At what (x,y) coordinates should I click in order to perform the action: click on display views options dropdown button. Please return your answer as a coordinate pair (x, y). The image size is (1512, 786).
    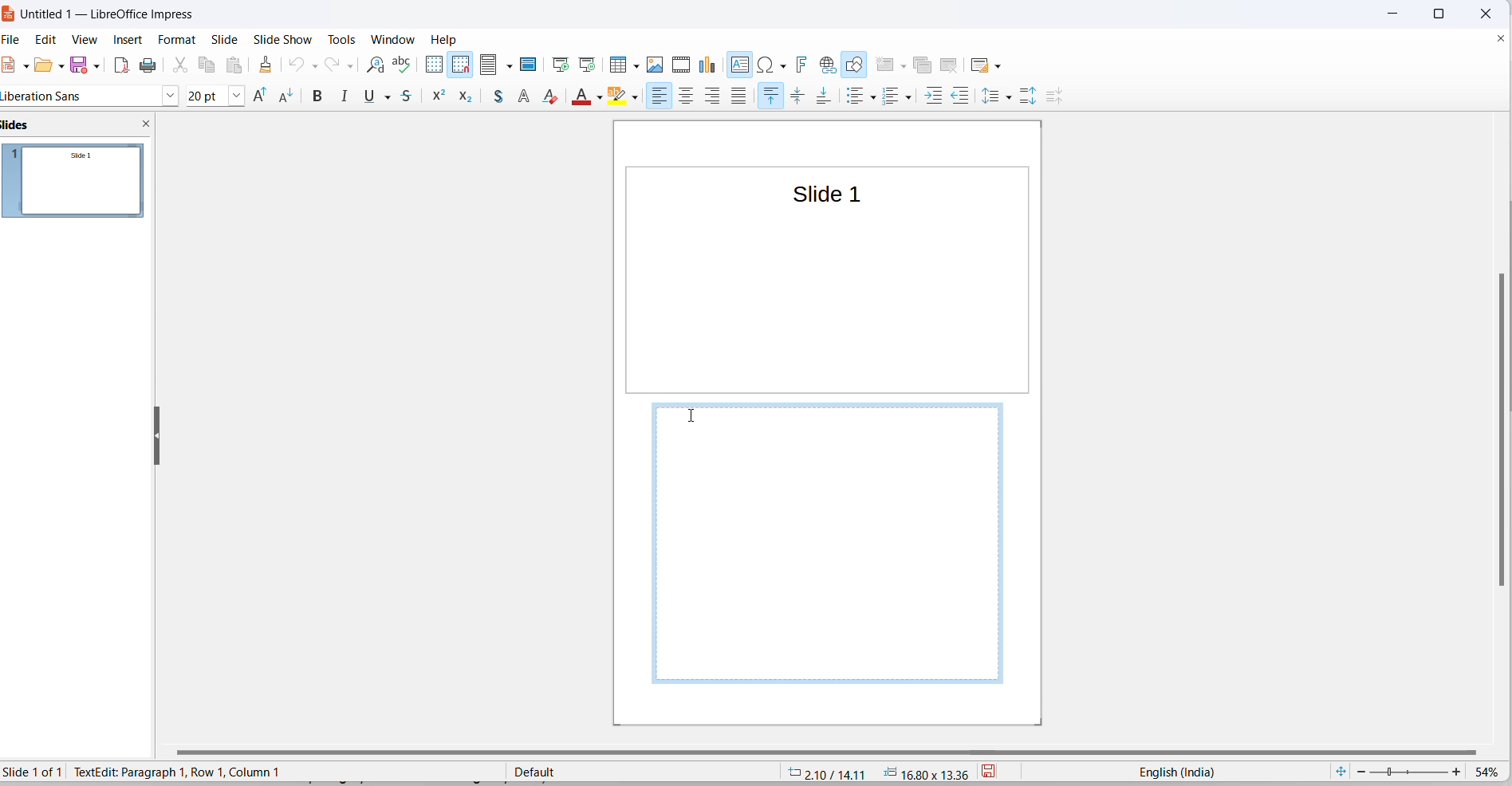
    Looking at the image, I should click on (512, 65).